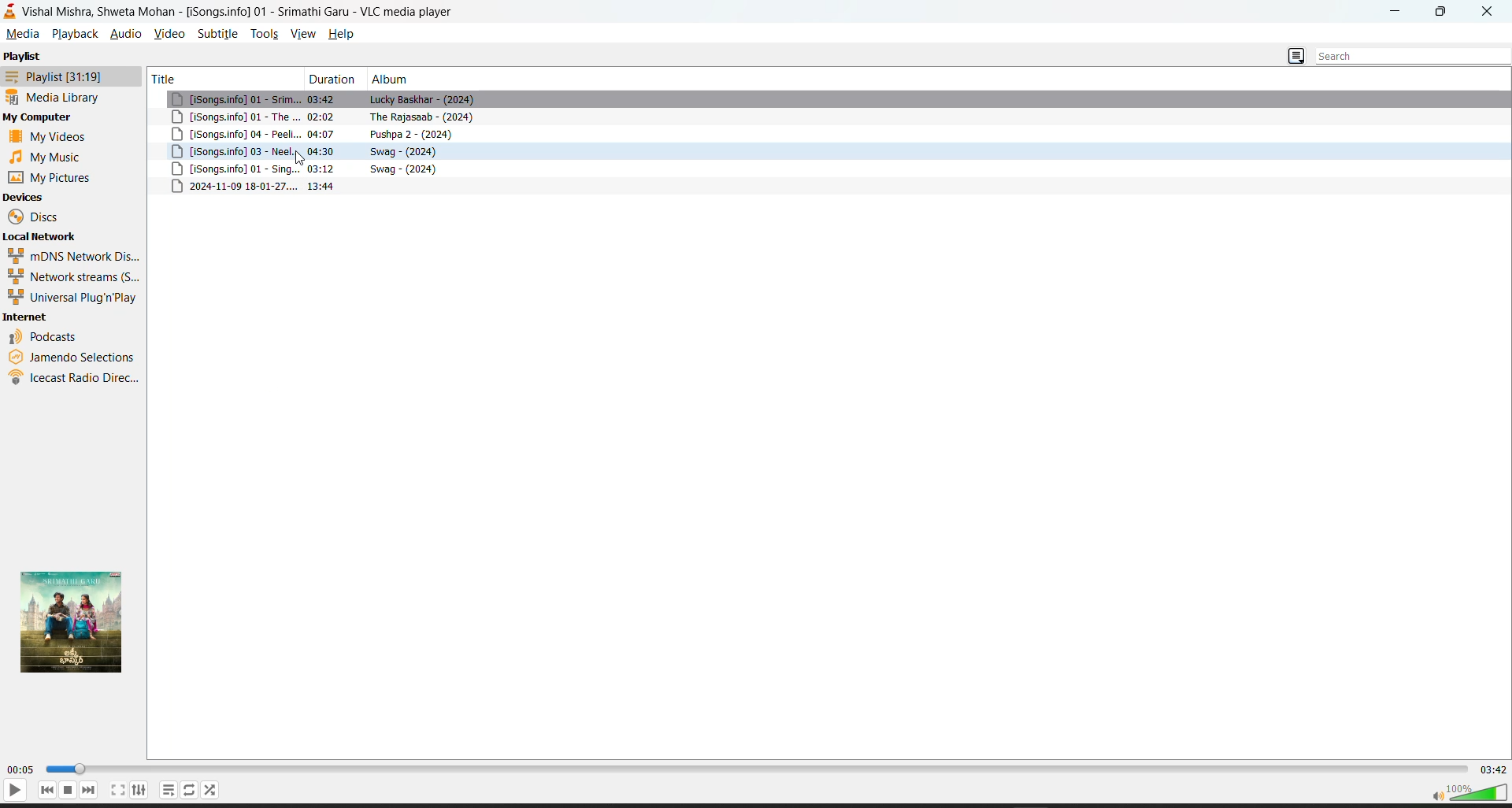 The height and width of the screenshot is (808, 1512). What do you see at coordinates (829, 151) in the screenshot?
I see `song` at bounding box center [829, 151].